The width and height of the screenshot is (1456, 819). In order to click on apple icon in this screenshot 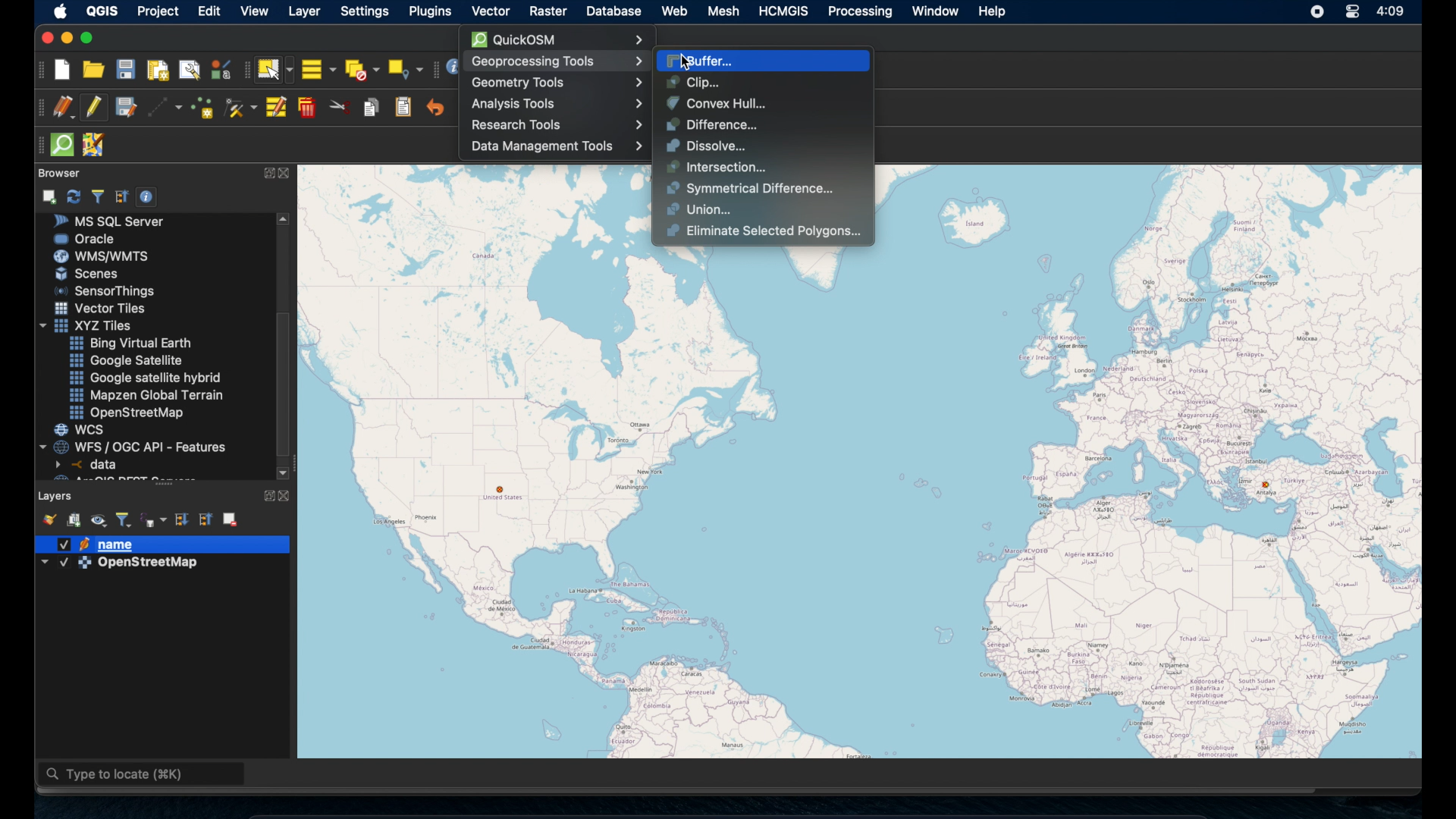, I will do `click(58, 11)`.